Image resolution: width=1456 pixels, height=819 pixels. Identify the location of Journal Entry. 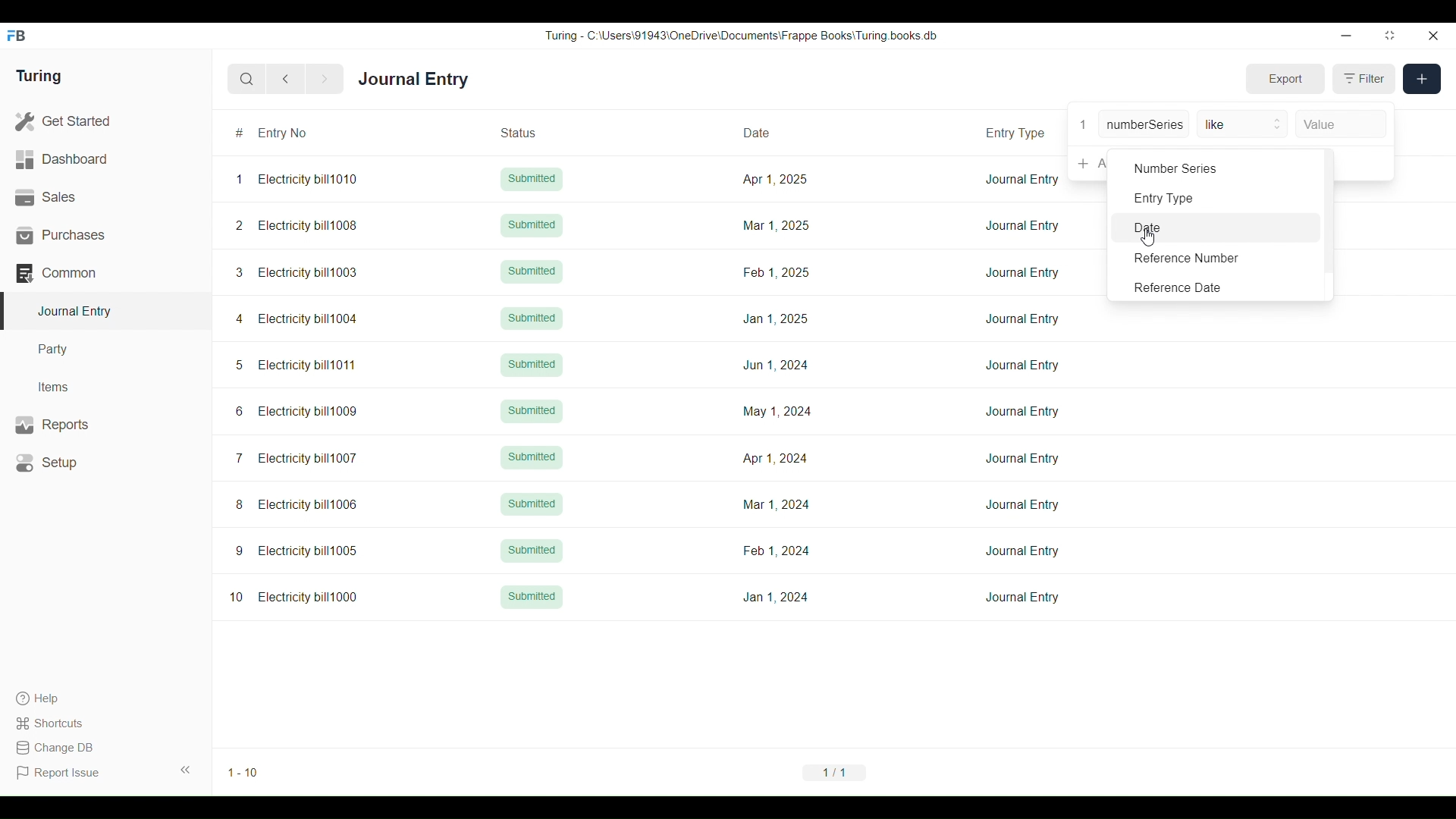
(1022, 504).